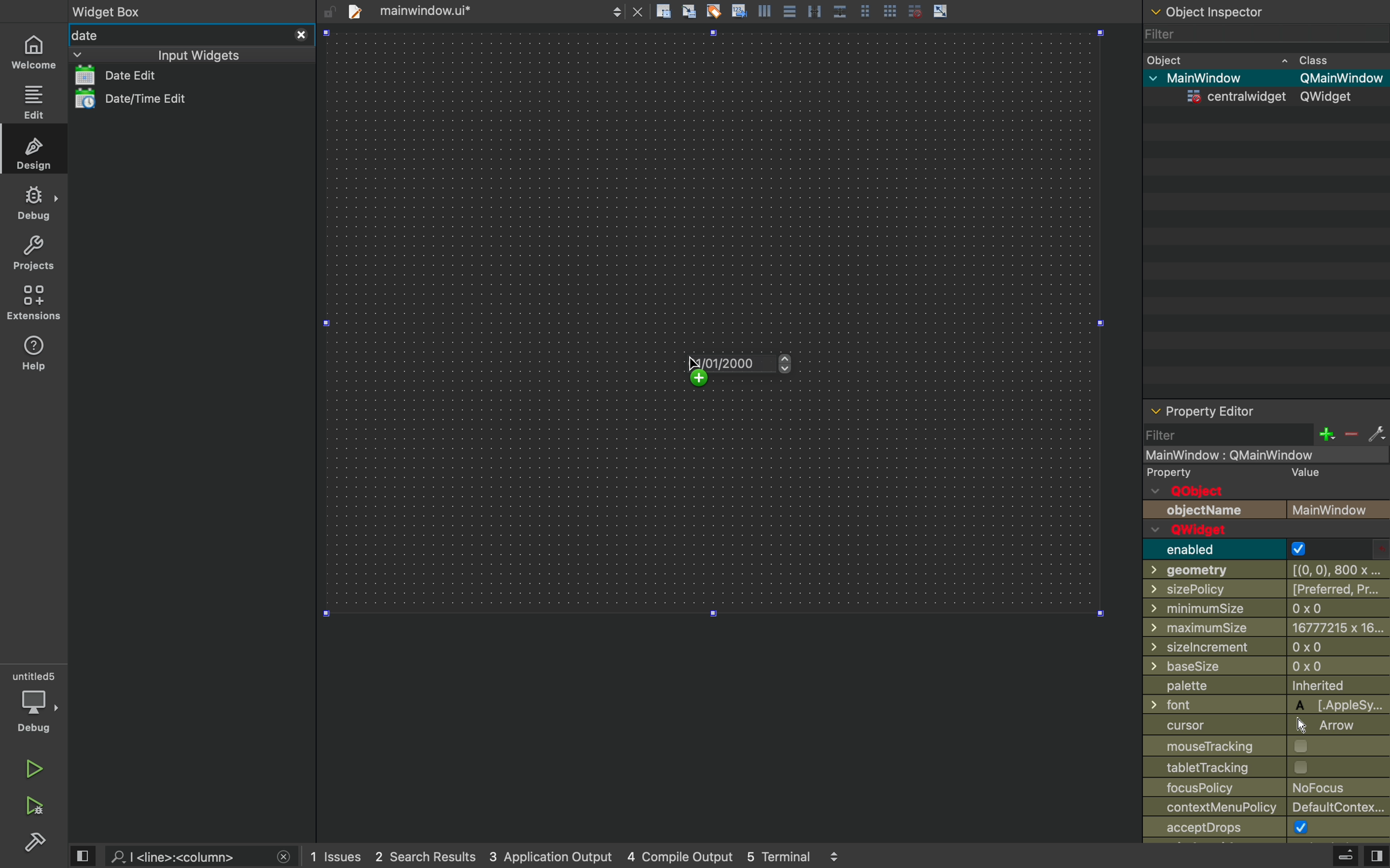 The image size is (1390, 868). What do you see at coordinates (188, 855) in the screenshot?
I see `search` at bounding box center [188, 855].